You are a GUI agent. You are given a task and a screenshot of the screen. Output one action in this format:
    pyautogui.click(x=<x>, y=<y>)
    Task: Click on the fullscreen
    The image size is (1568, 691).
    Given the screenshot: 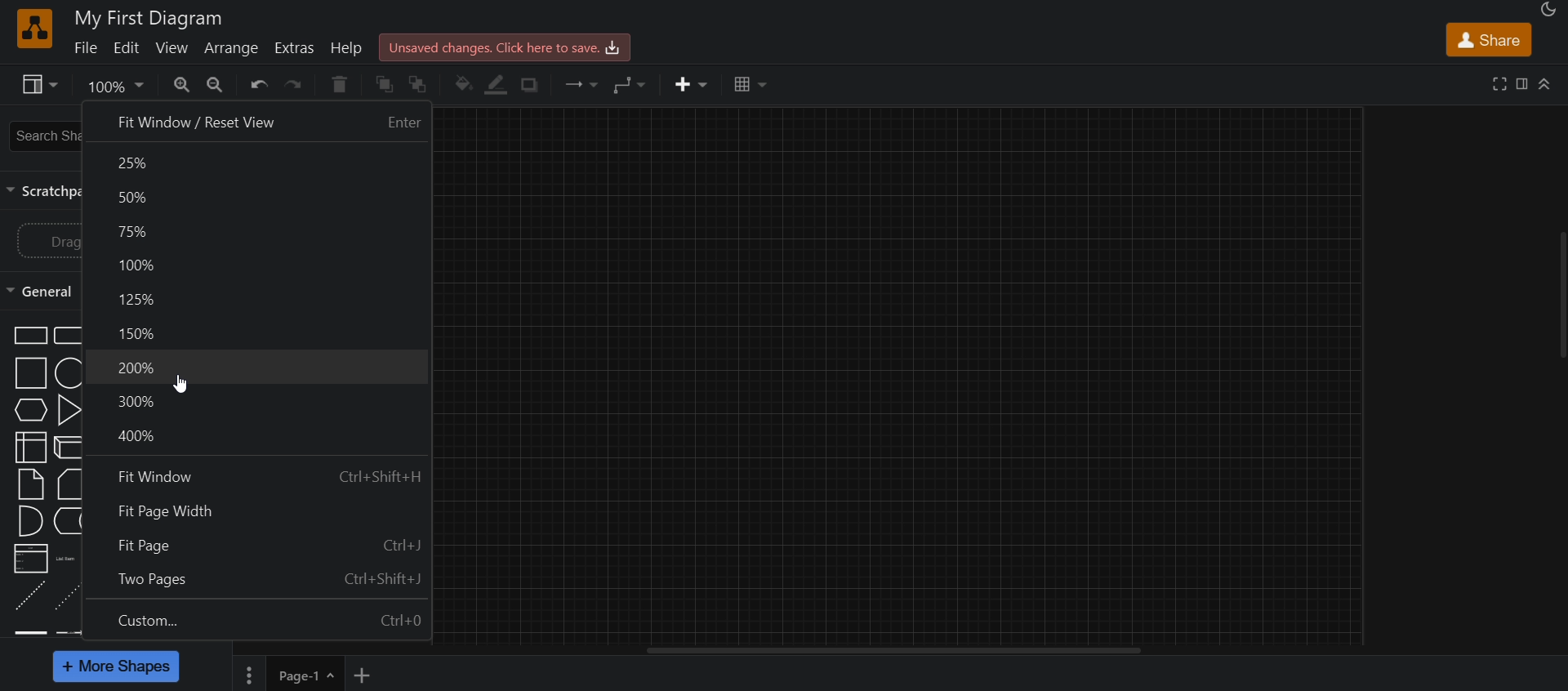 What is the action you would take?
    pyautogui.click(x=1496, y=82)
    